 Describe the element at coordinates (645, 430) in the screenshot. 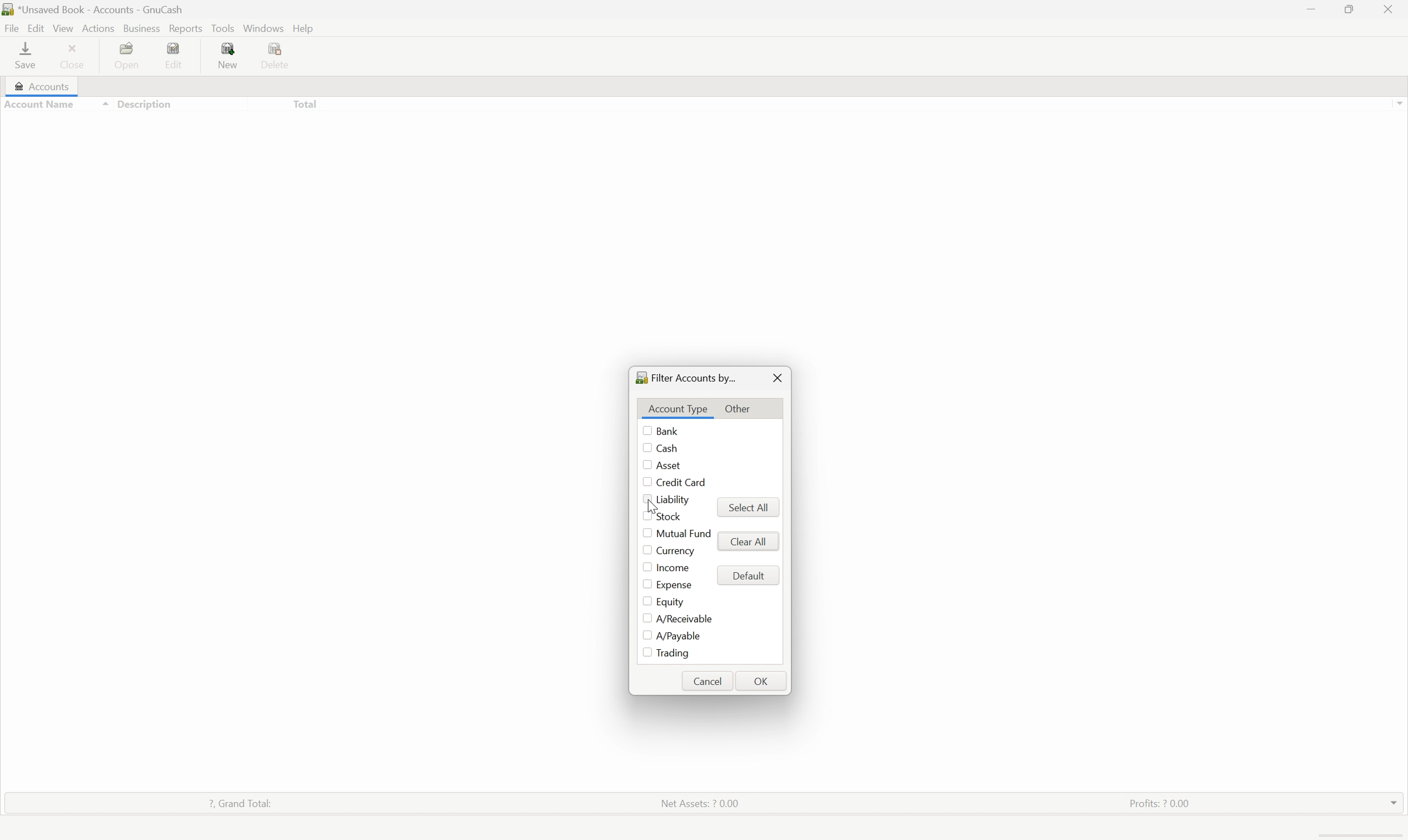

I see `Checkbox` at that location.